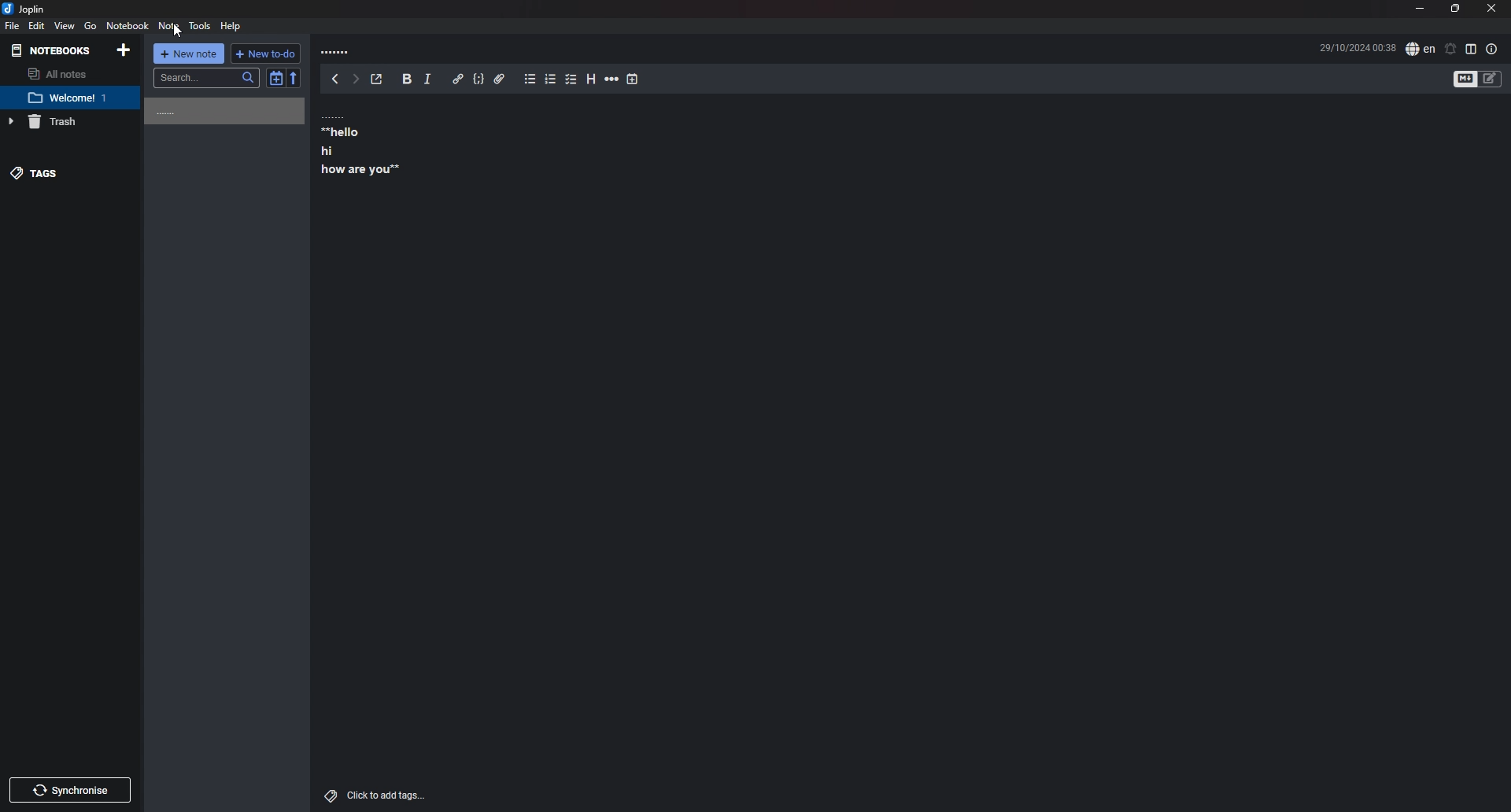  Describe the element at coordinates (1478, 80) in the screenshot. I see `Toggle editor` at that location.